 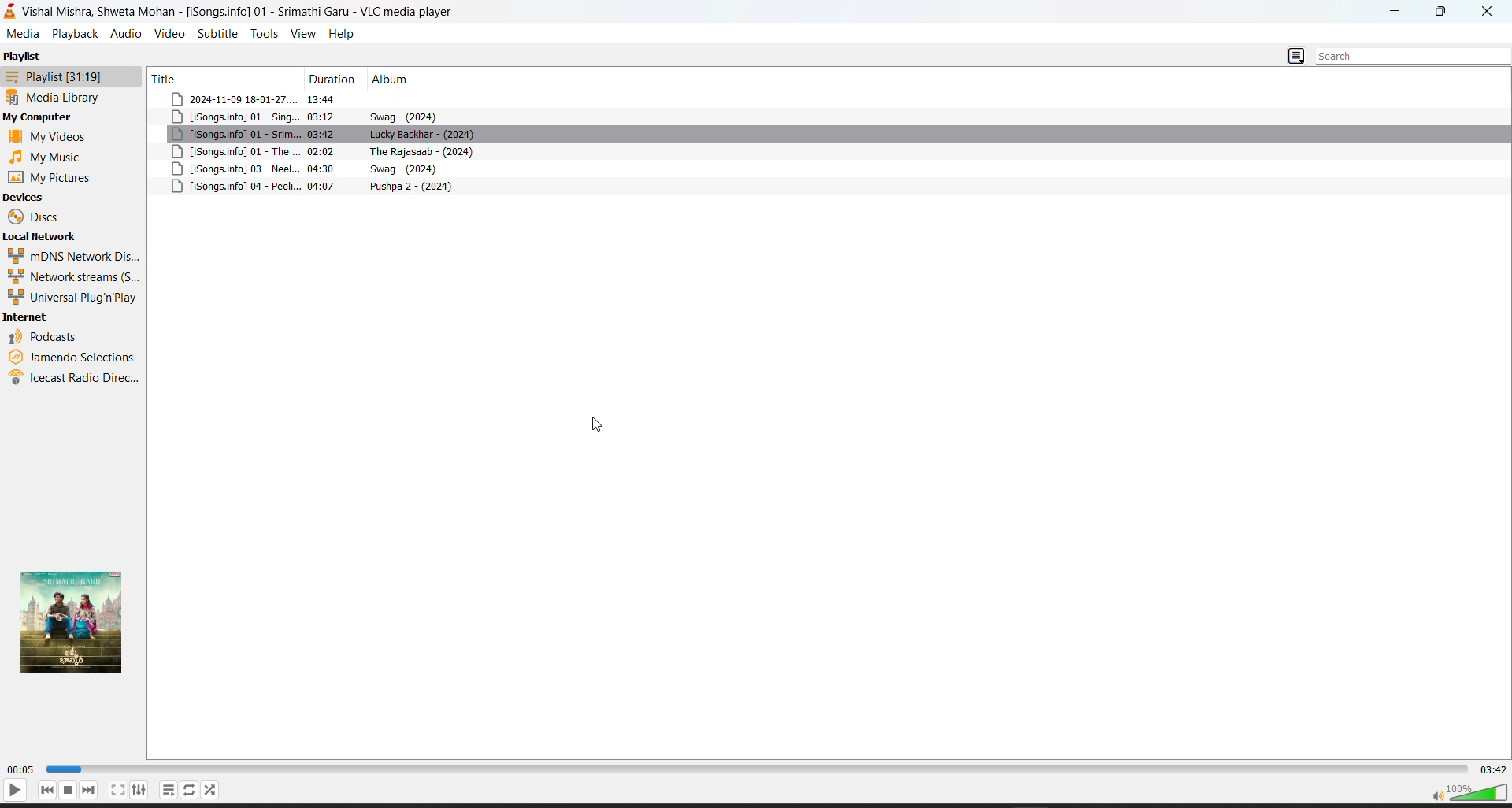 What do you see at coordinates (139, 790) in the screenshot?
I see `settings` at bounding box center [139, 790].